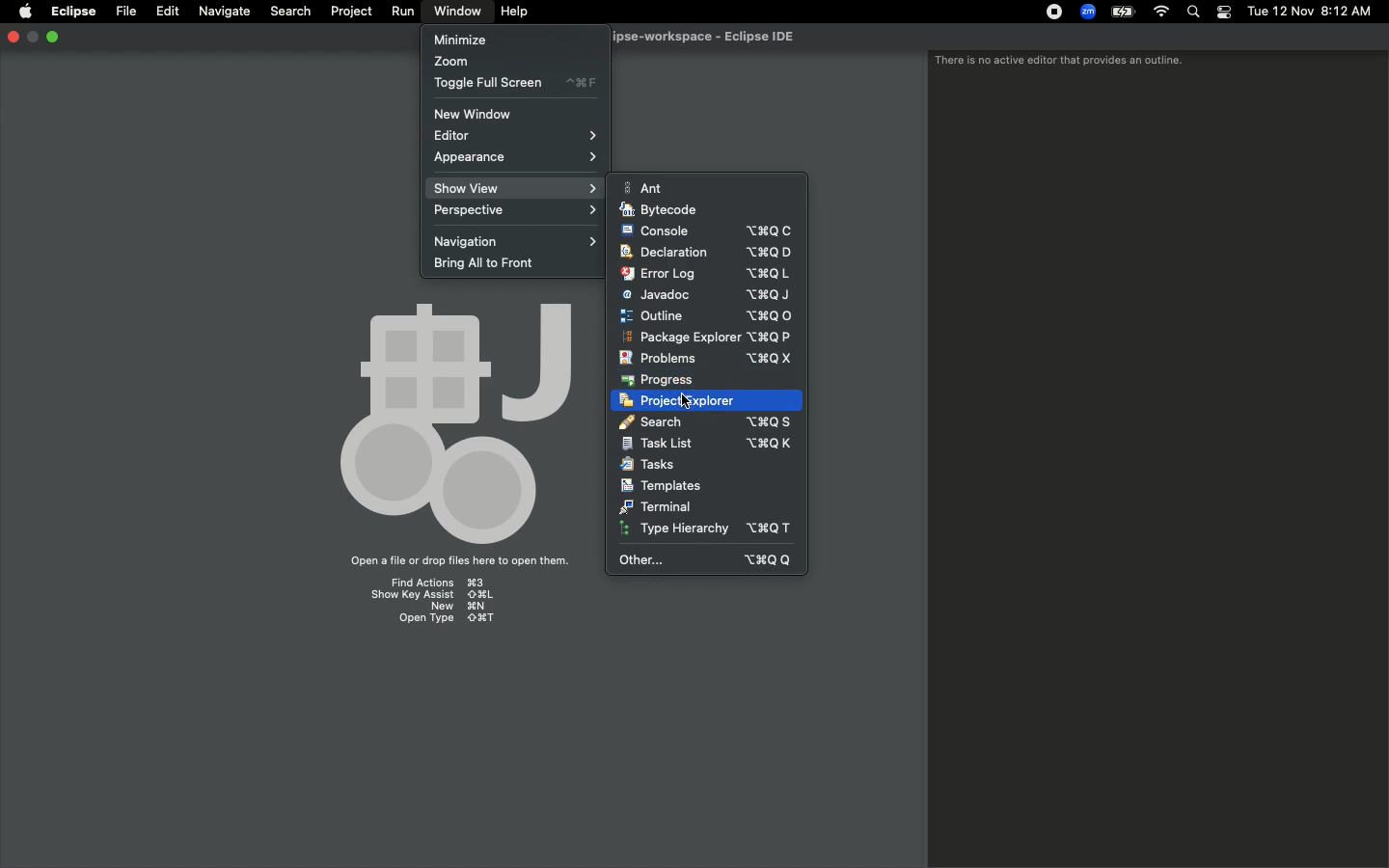  What do you see at coordinates (446, 621) in the screenshot?
I see `Open type` at bounding box center [446, 621].